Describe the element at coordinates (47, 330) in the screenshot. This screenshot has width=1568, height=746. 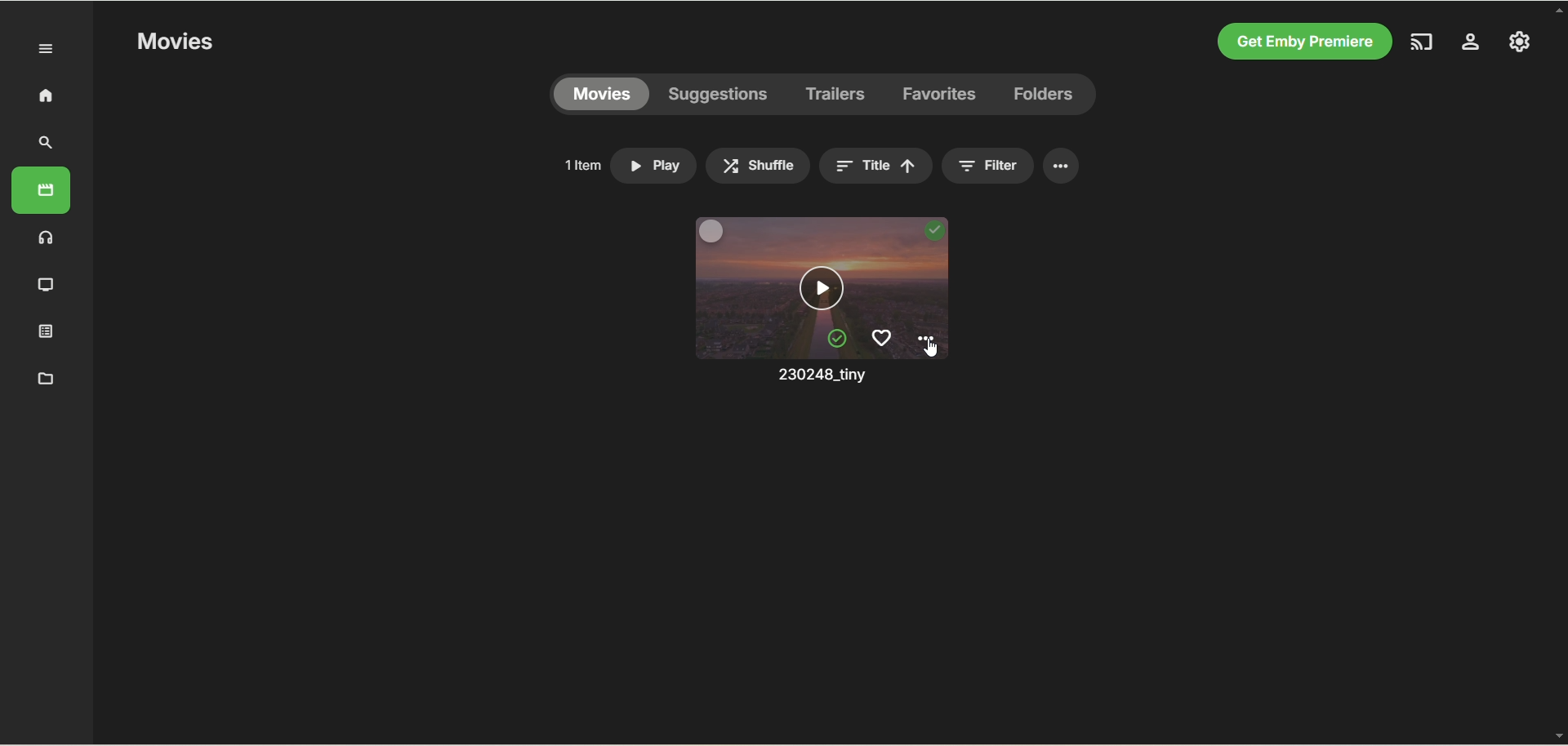
I see `playlist` at that location.